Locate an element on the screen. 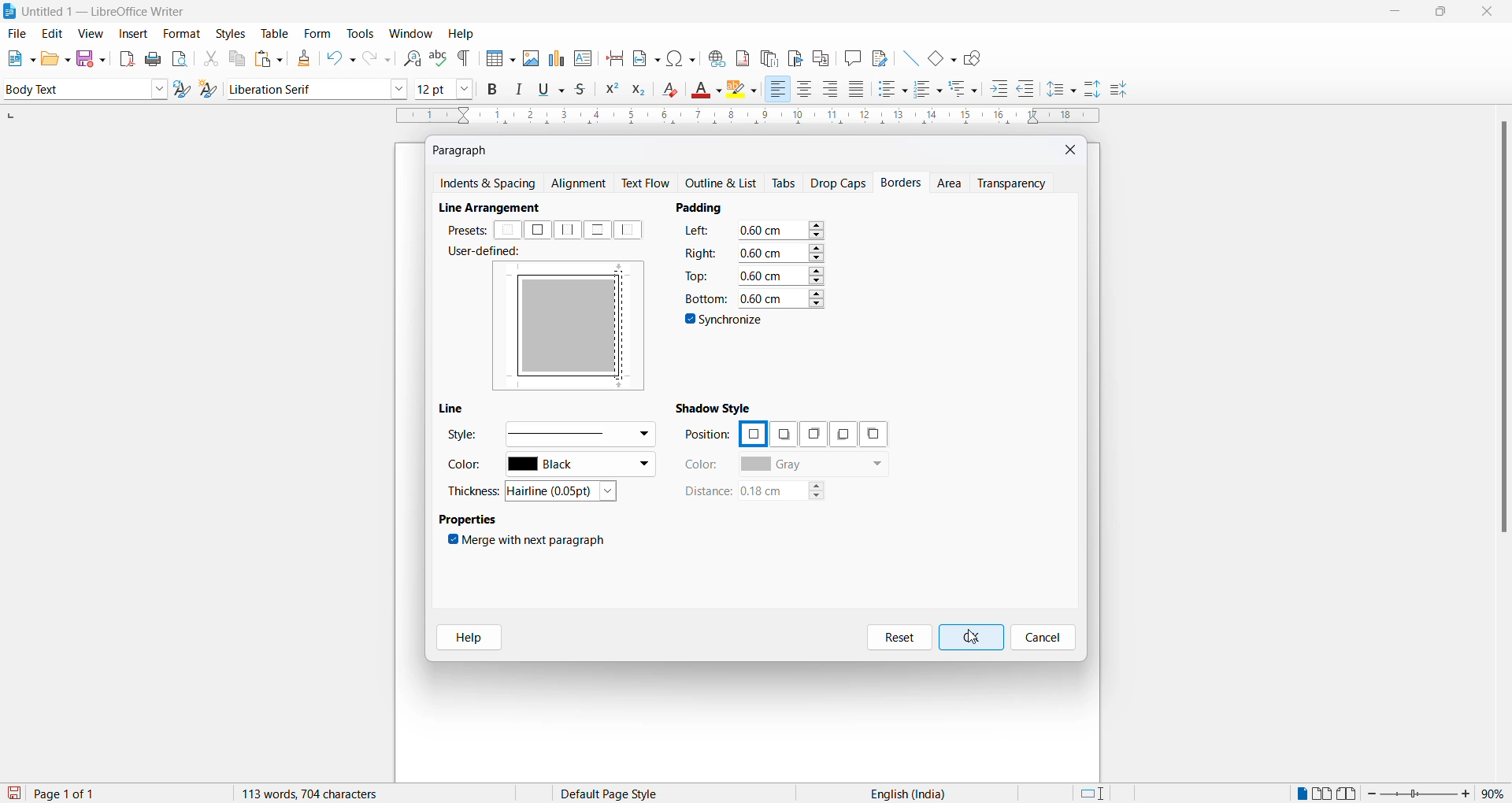  insert bookmarks is located at coordinates (795, 56).